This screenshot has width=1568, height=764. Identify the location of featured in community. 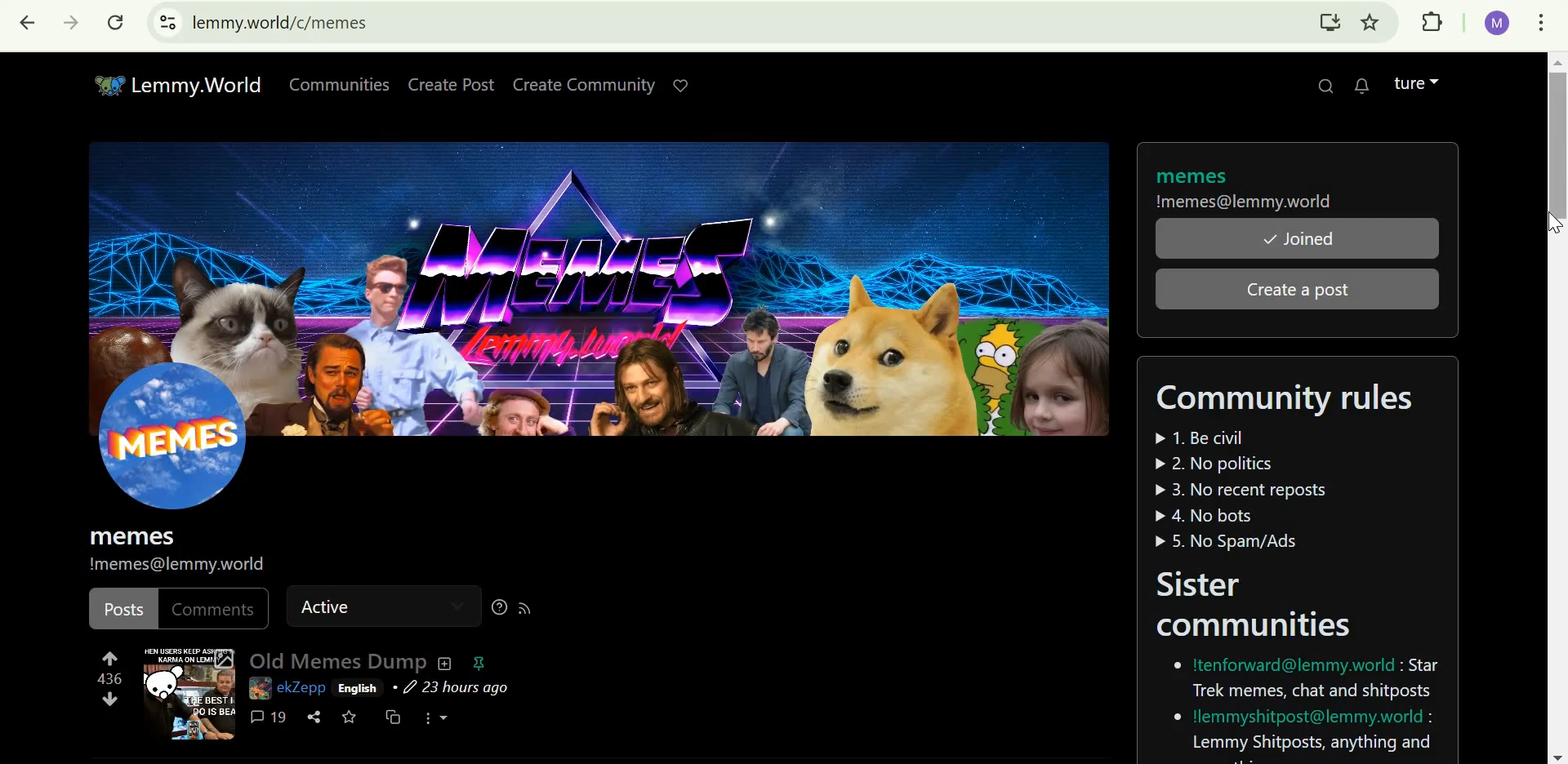
(479, 663).